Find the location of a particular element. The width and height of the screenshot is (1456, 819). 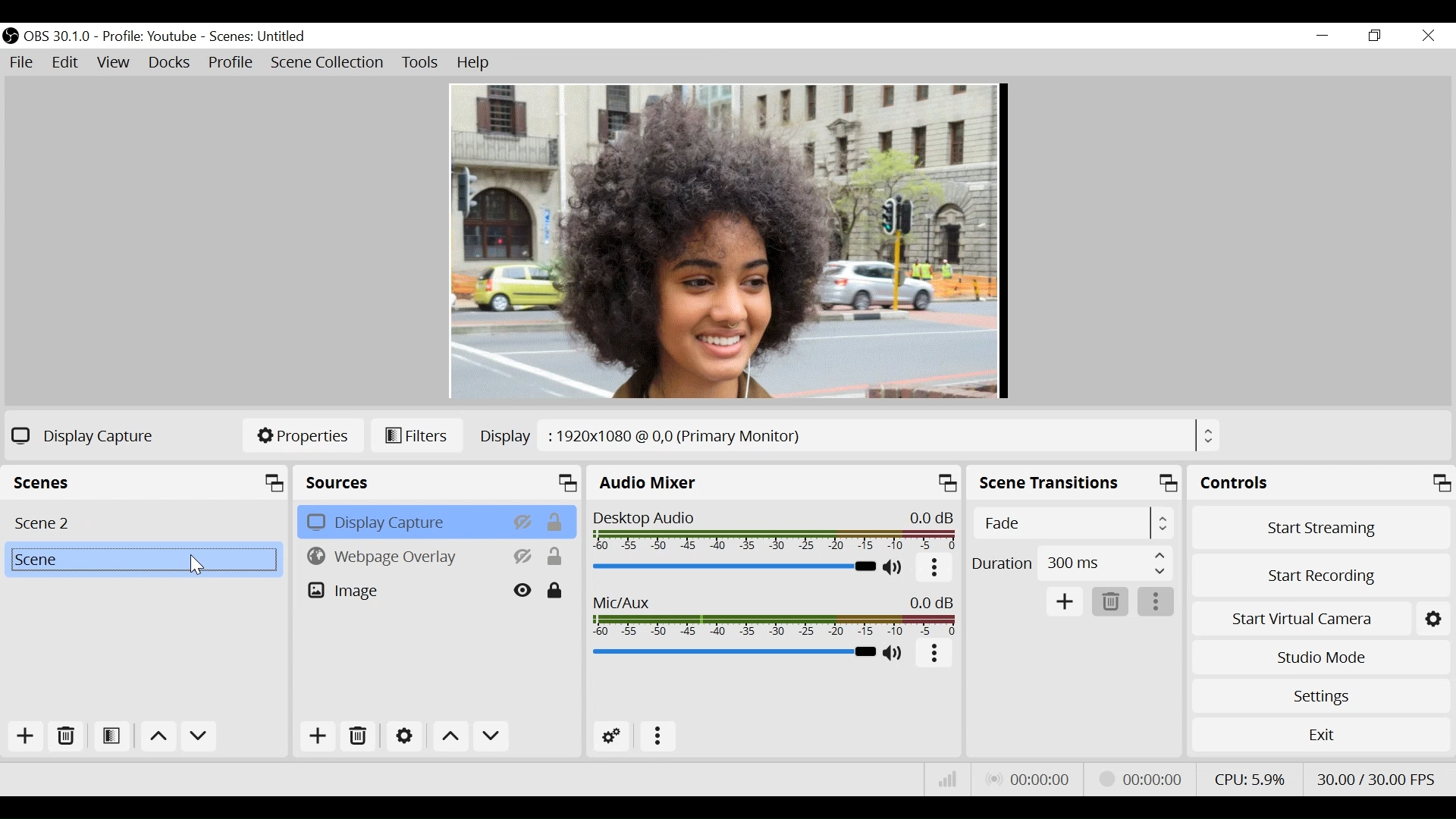

Restore is located at coordinates (1375, 36).